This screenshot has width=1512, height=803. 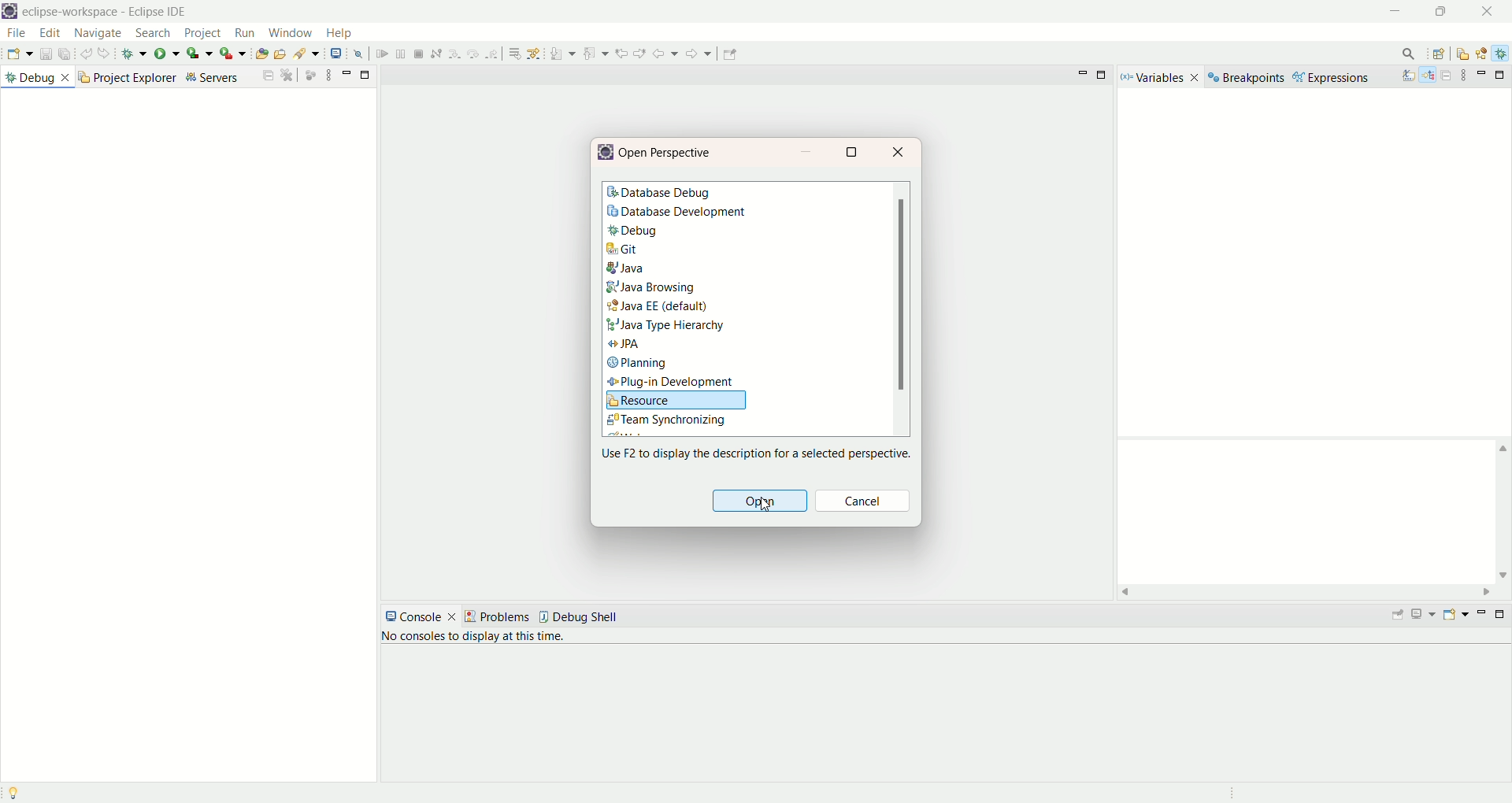 What do you see at coordinates (1401, 611) in the screenshot?
I see `pin console` at bounding box center [1401, 611].